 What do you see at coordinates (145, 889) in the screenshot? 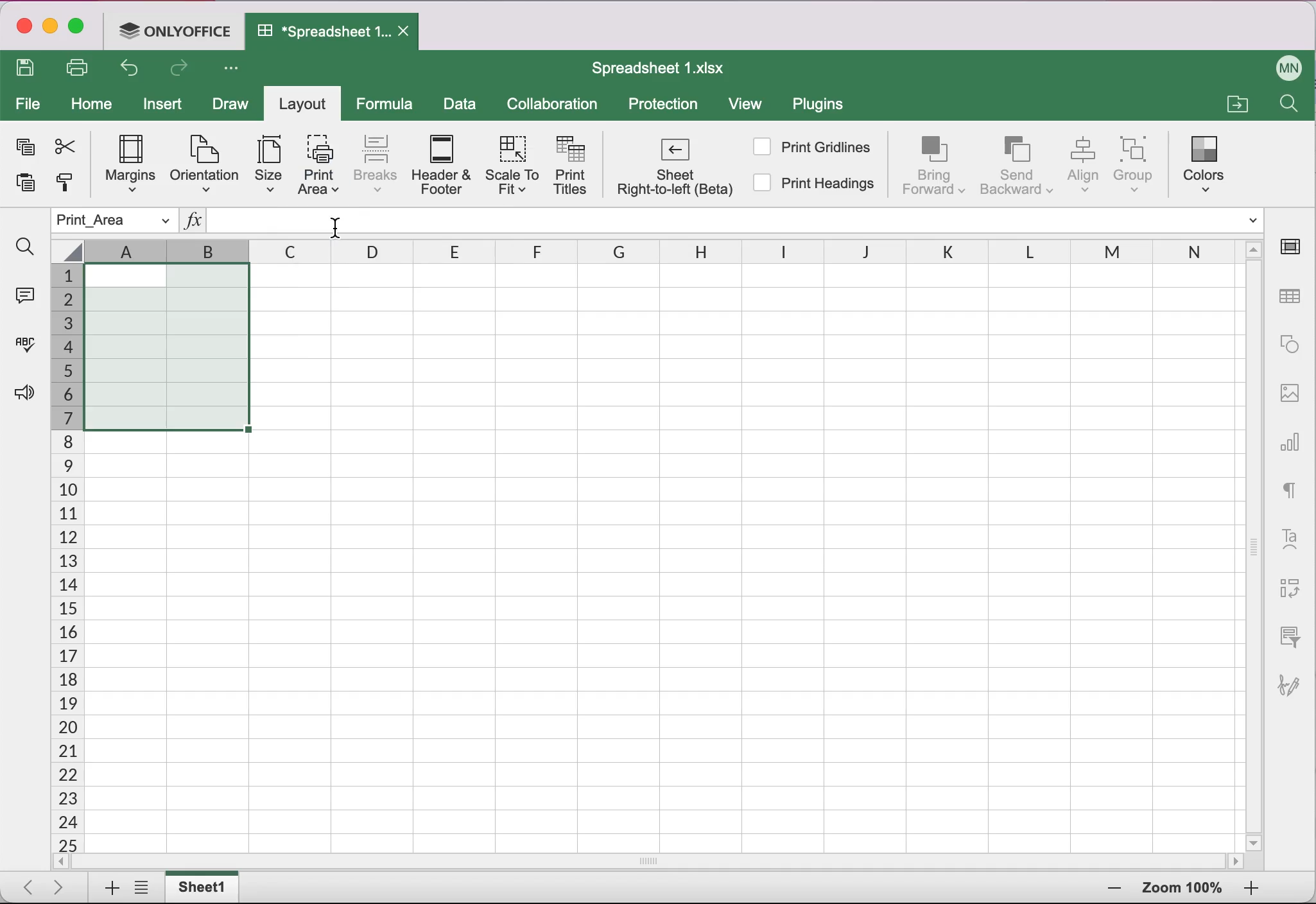
I see `list of sheets` at bounding box center [145, 889].